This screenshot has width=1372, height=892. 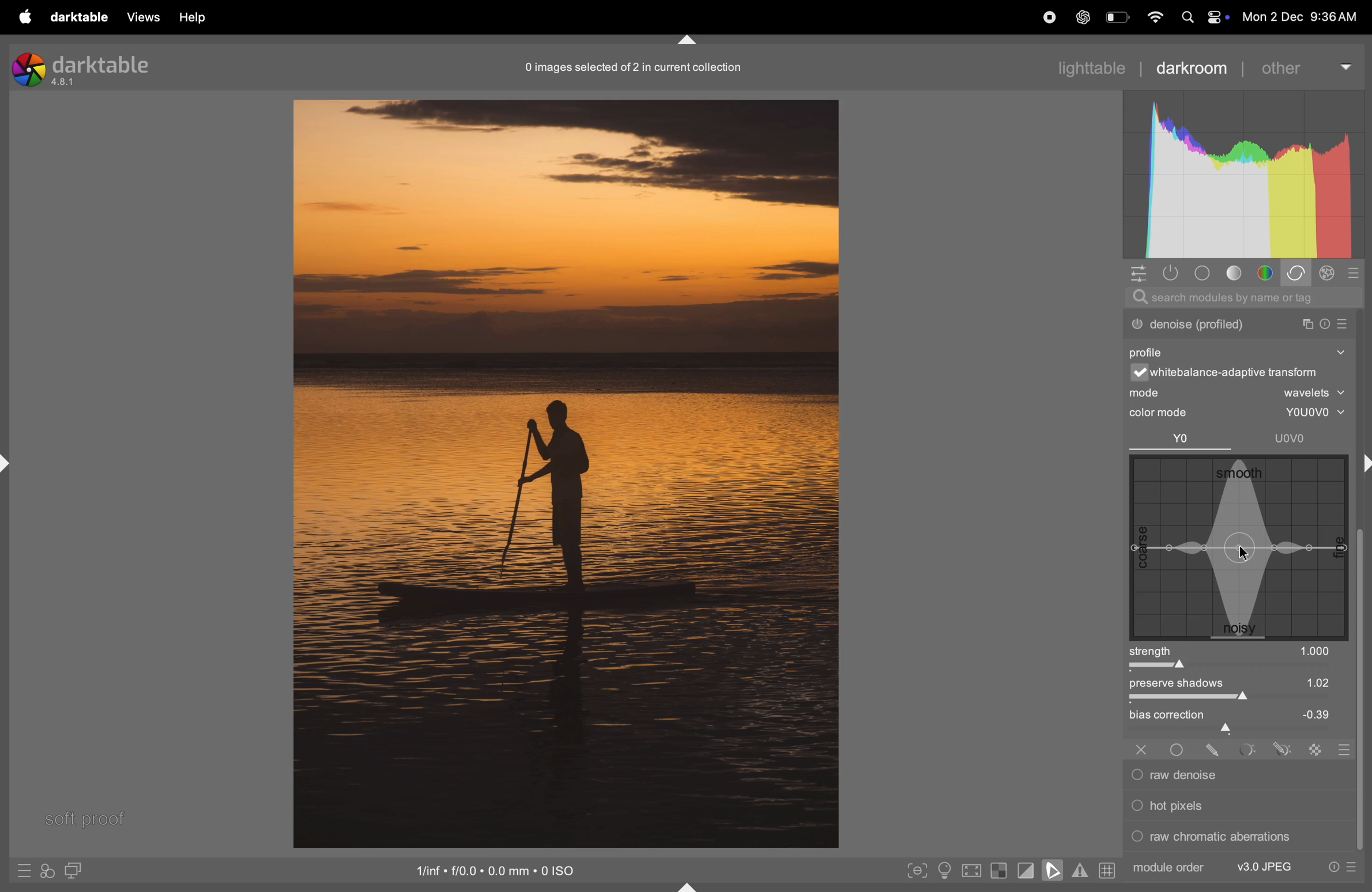 What do you see at coordinates (1267, 273) in the screenshot?
I see `colors` at bounding box center [1267, 273].